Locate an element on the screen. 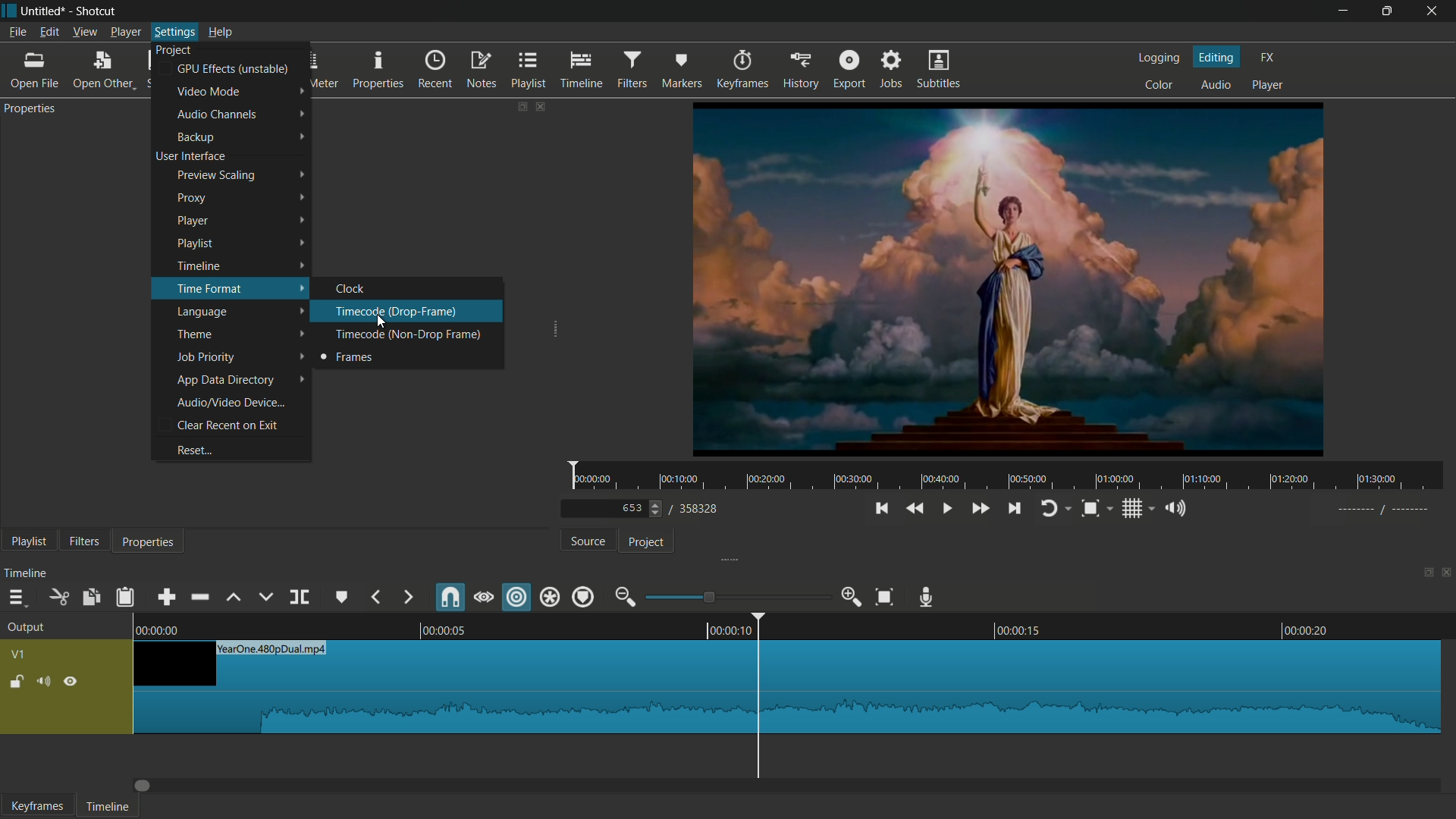 The image size is (1456, 819). language is located at coordinates (202, 312).